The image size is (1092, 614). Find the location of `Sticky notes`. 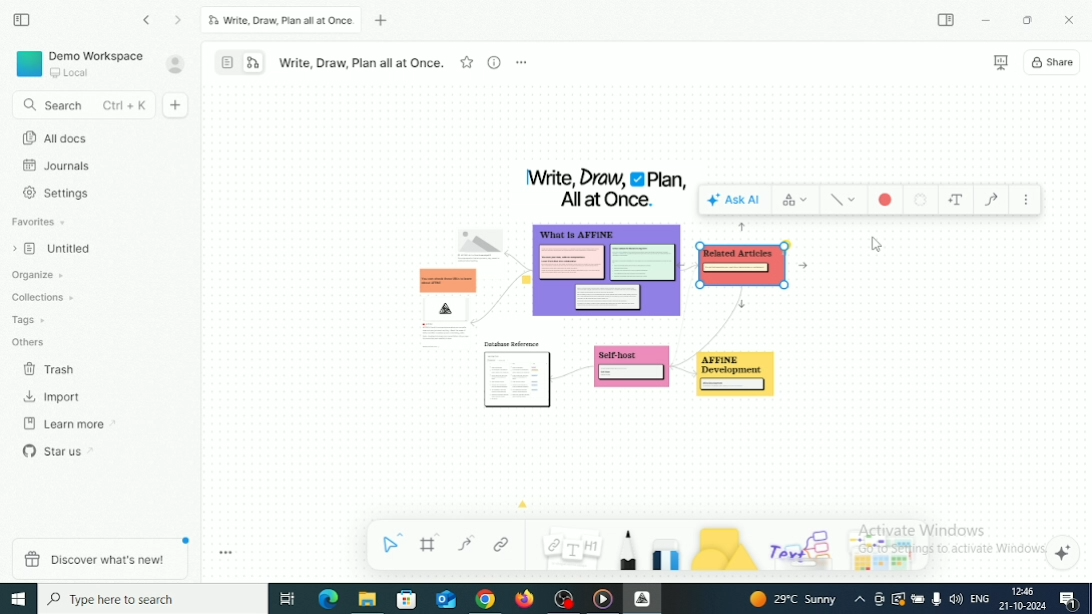

Sticky notes is located at coordinates (742, 378).